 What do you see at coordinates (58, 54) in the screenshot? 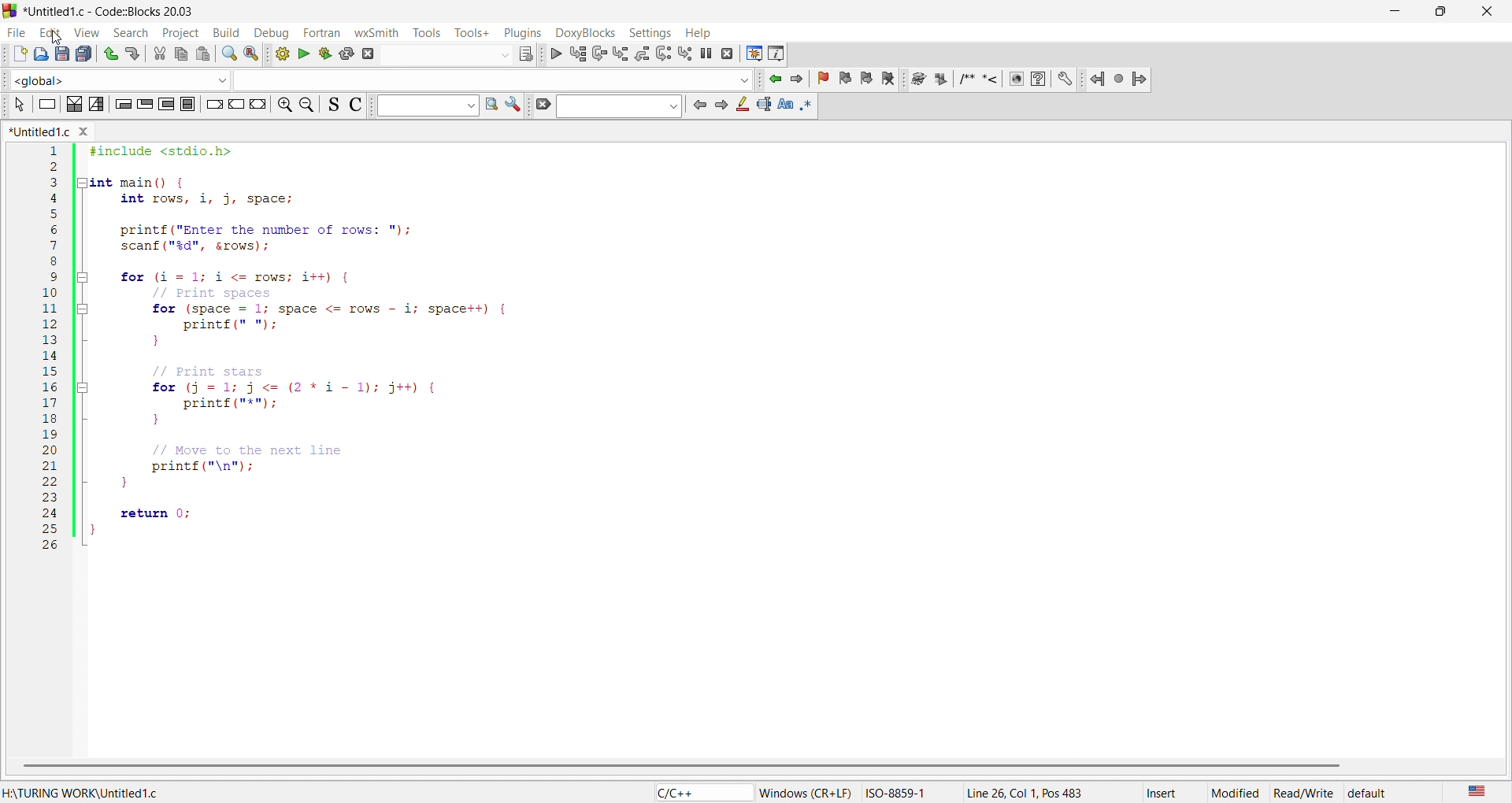
I see `save as` at bounding box center [58, 54].